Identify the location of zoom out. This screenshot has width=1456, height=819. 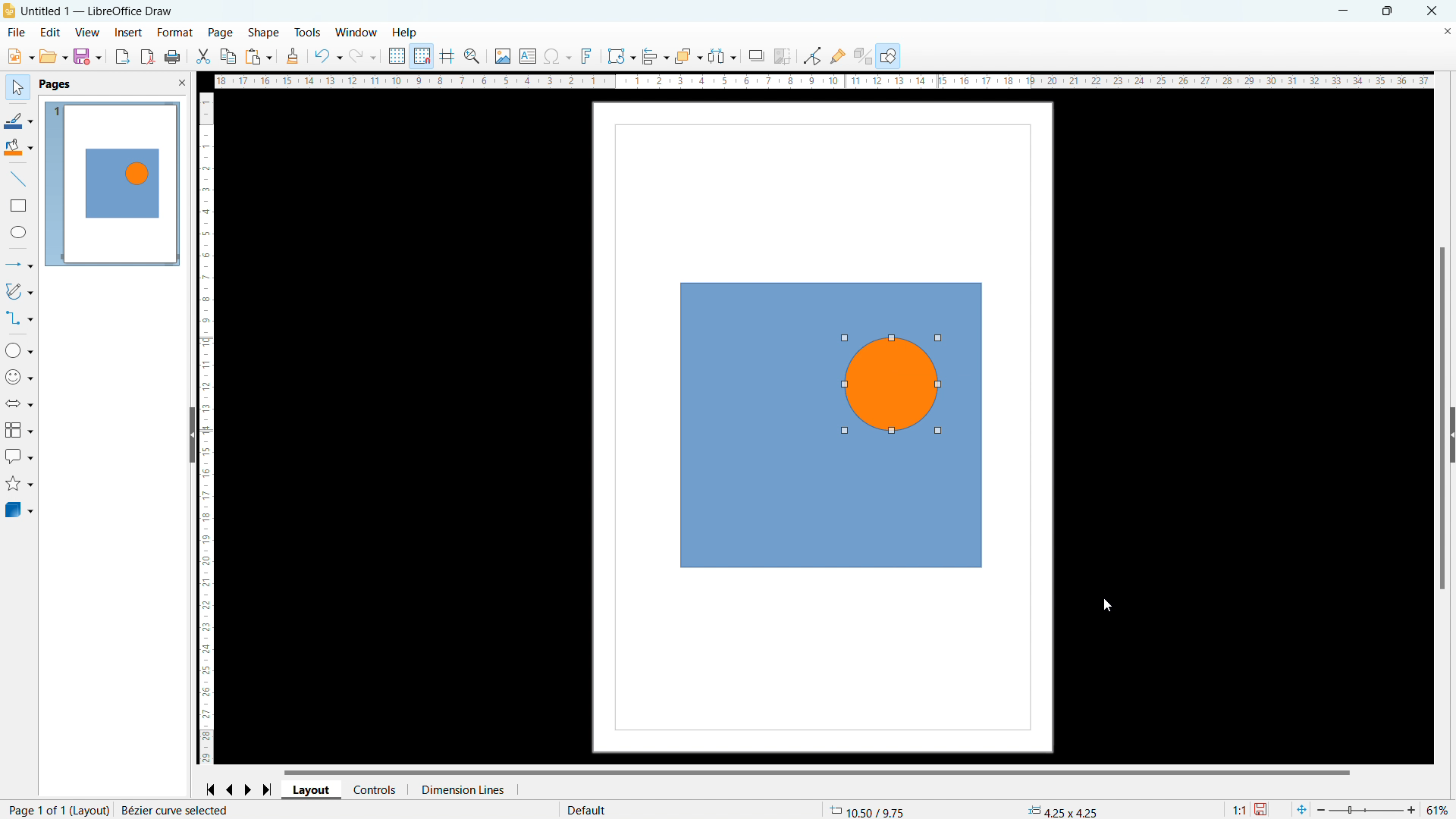
(1322, 809).